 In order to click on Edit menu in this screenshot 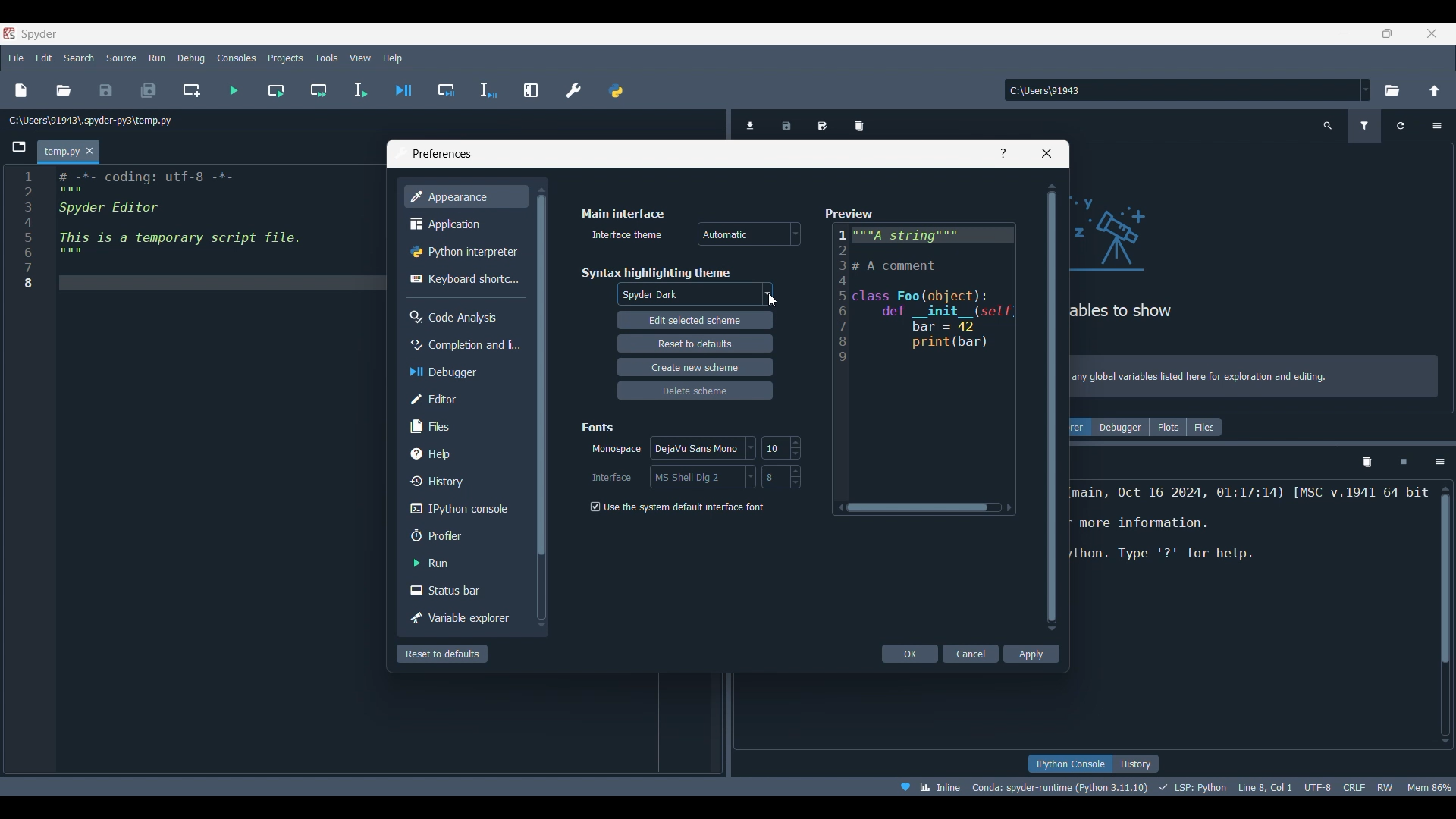, I will do `click(43, 58)`.